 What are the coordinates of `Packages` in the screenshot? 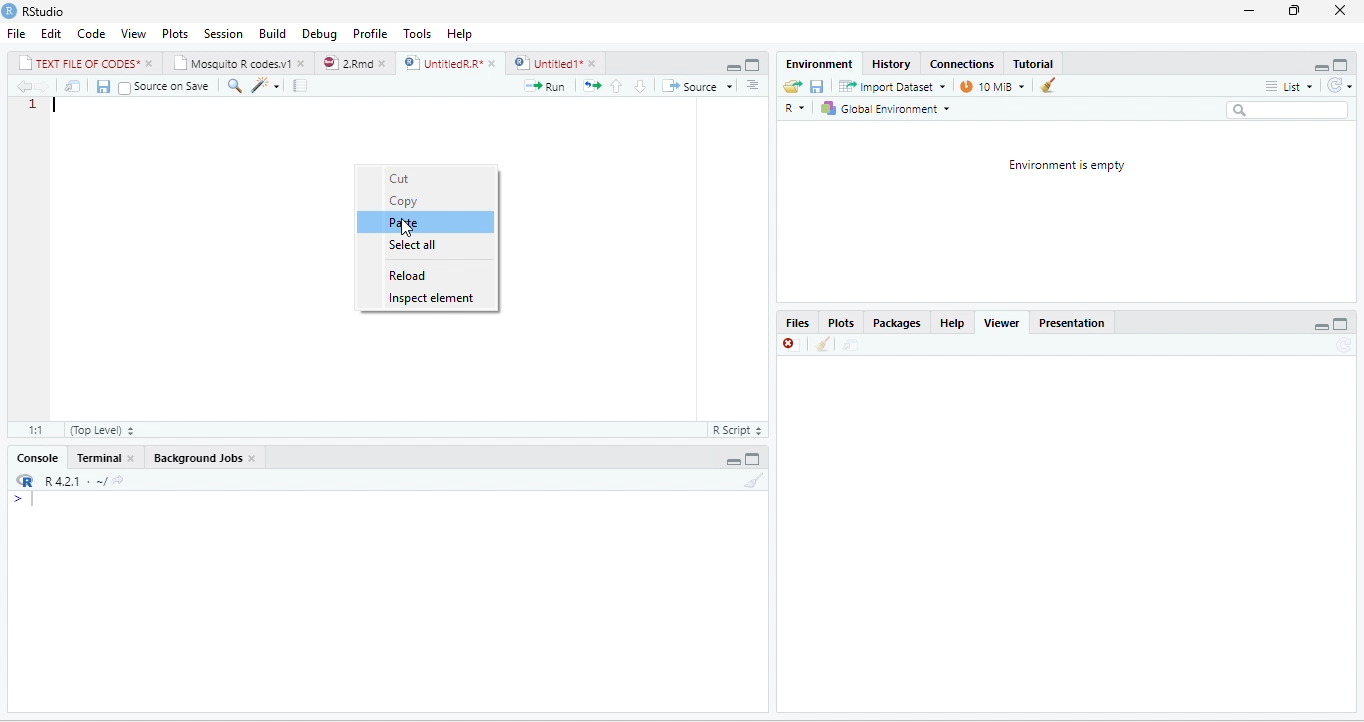 It's located at (899, 324).